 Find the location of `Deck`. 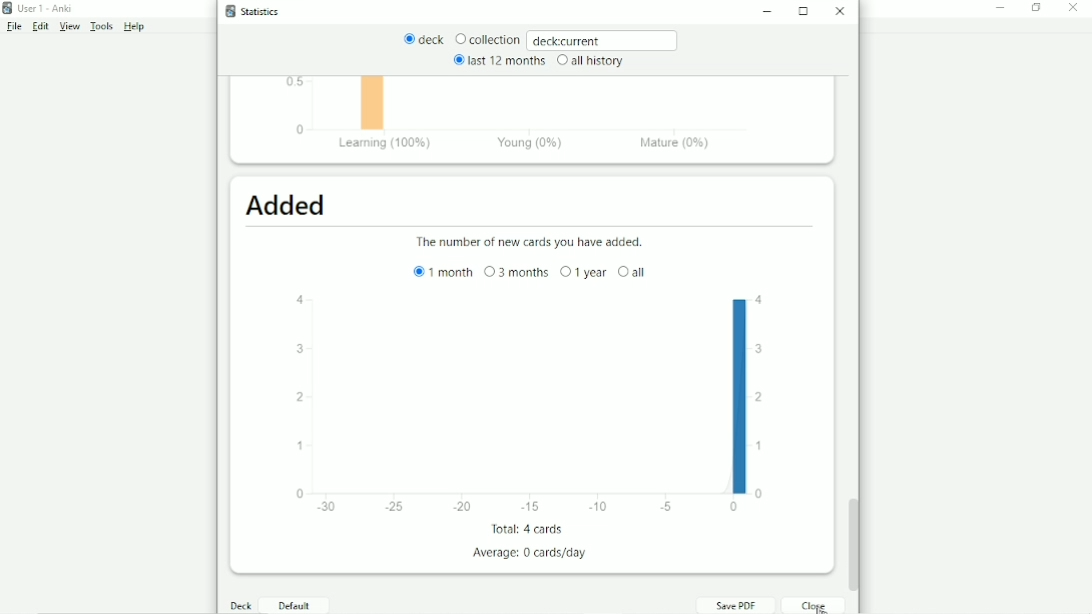

Deck is located at coordinates (242, 605).